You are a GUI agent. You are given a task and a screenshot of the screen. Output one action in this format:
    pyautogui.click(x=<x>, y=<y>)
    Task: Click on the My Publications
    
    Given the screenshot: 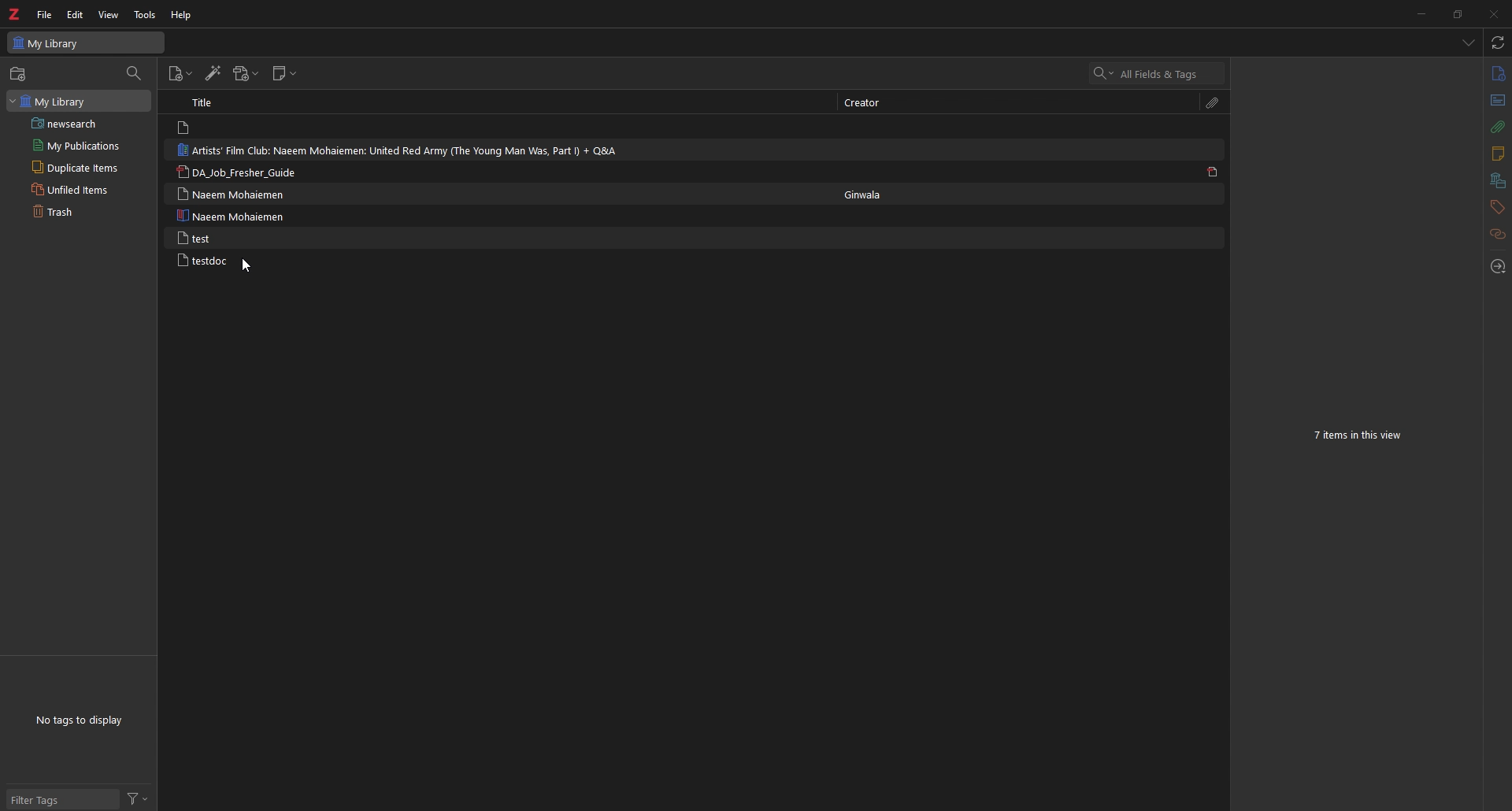 What is the action you would take?
    pyautogui.click(x=82, y=146)
    